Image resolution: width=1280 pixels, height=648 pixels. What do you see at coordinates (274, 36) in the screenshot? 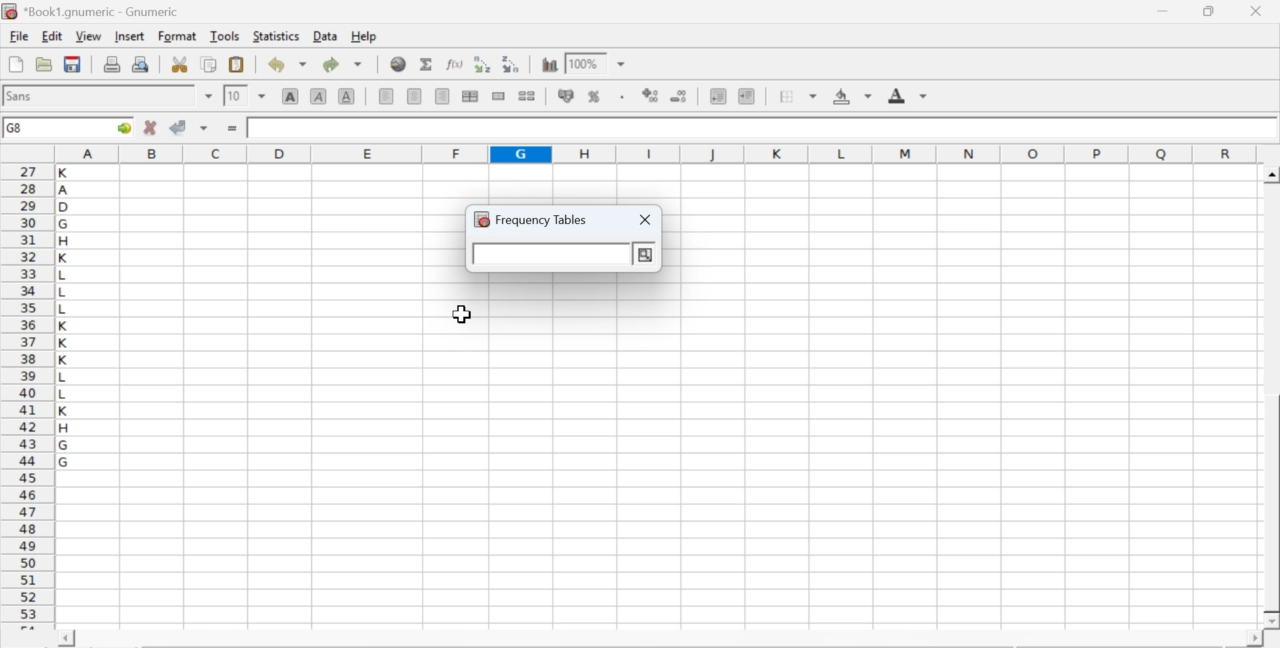
I see `statistics` at bounding box center [274, 36].